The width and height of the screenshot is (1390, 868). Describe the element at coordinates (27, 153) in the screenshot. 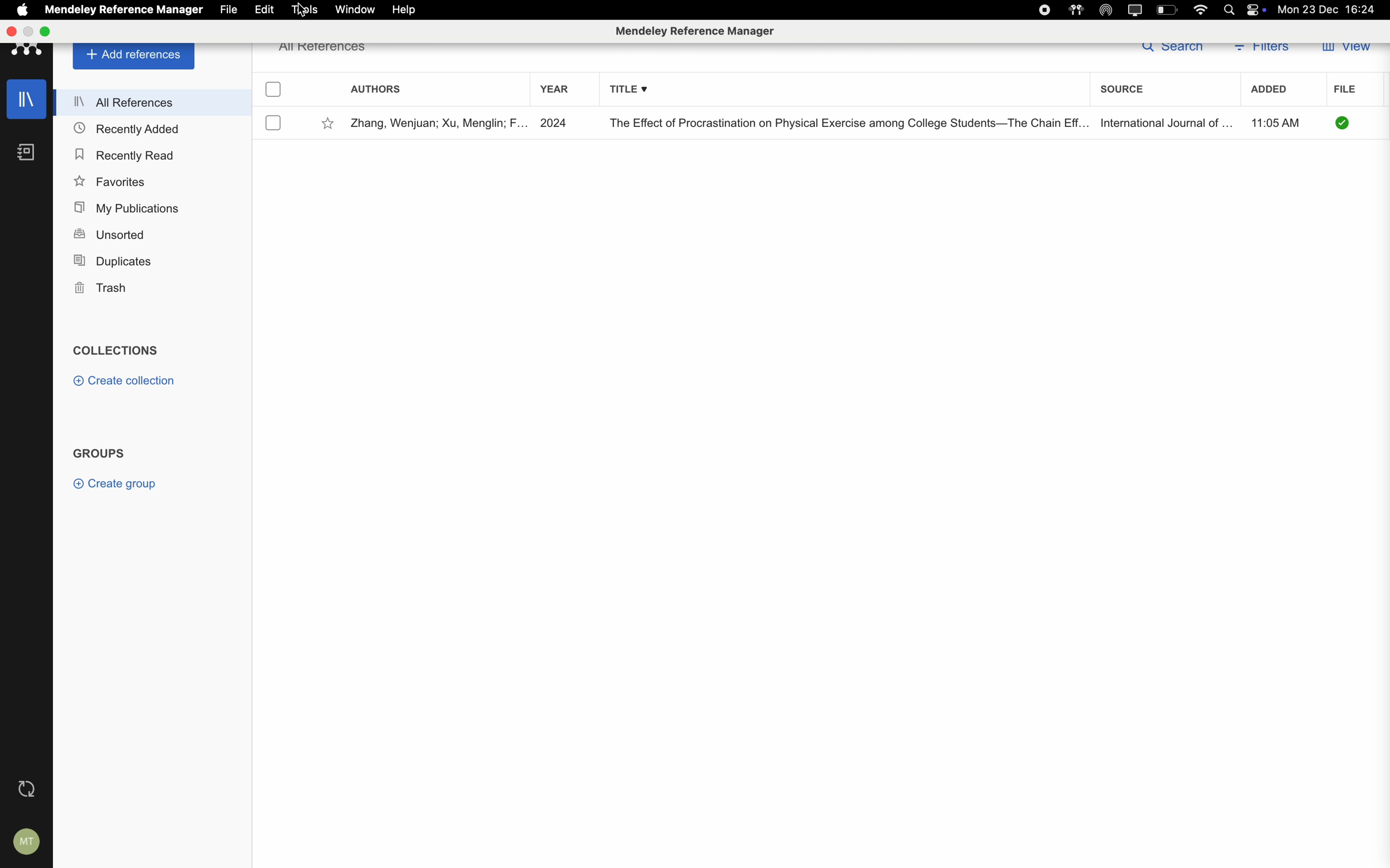

I see `notebooks` at that location.